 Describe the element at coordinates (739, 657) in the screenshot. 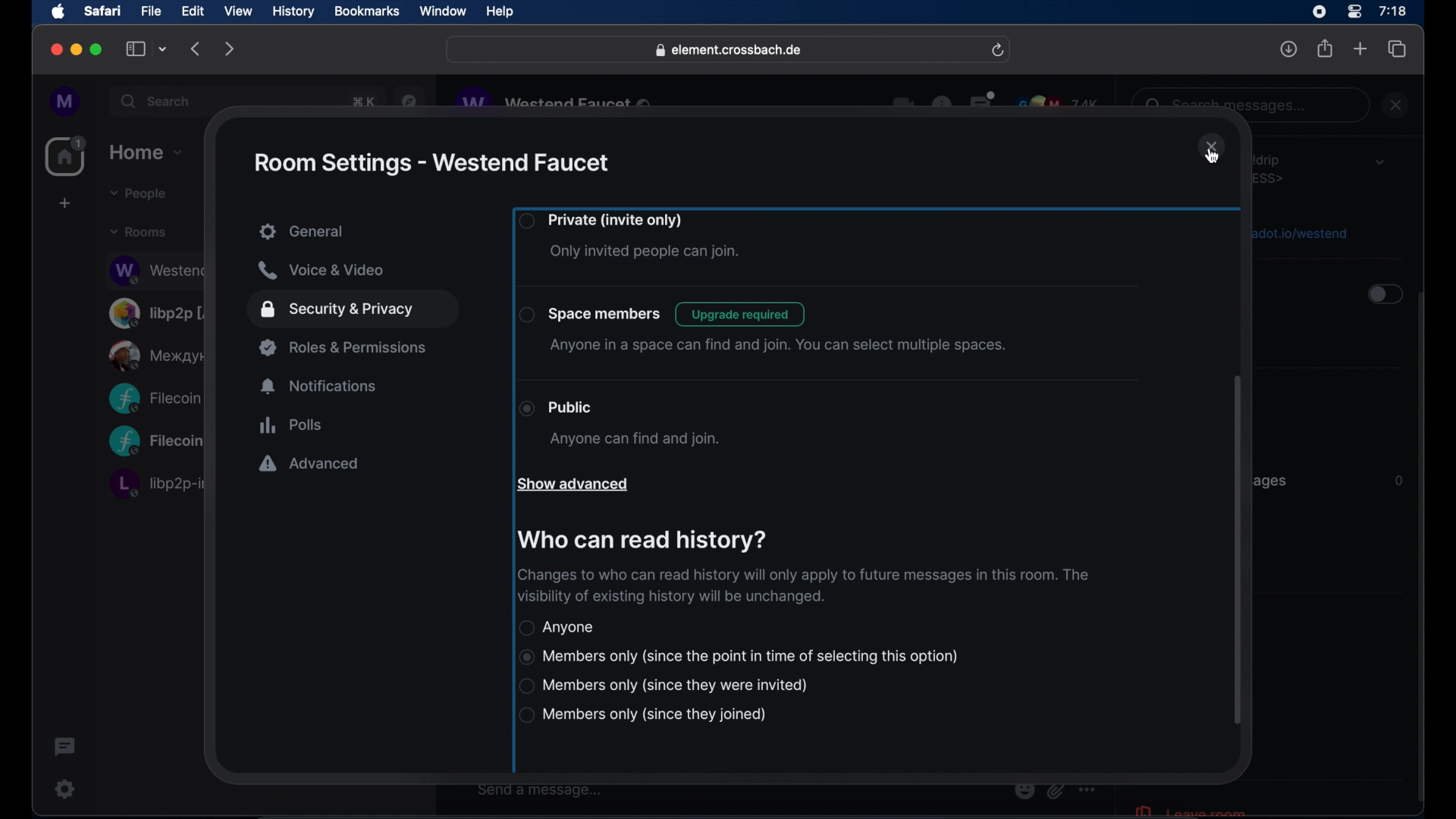

I see `members only radio button` at that location.